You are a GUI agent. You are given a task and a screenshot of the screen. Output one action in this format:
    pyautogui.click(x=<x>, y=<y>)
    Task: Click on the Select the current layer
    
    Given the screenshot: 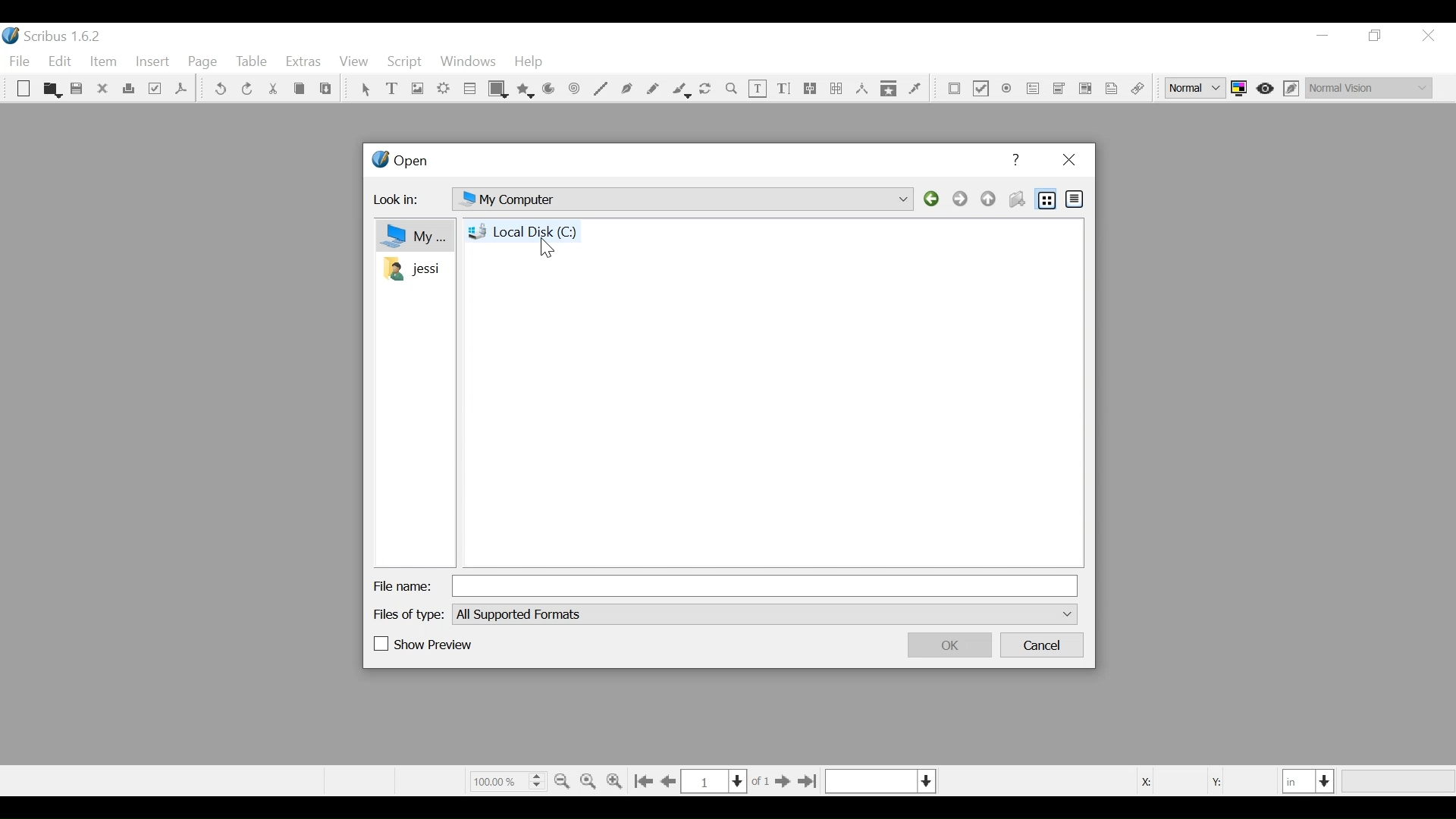 What is the action you would take?
    pyautogui.click(x=880, y=781)
    